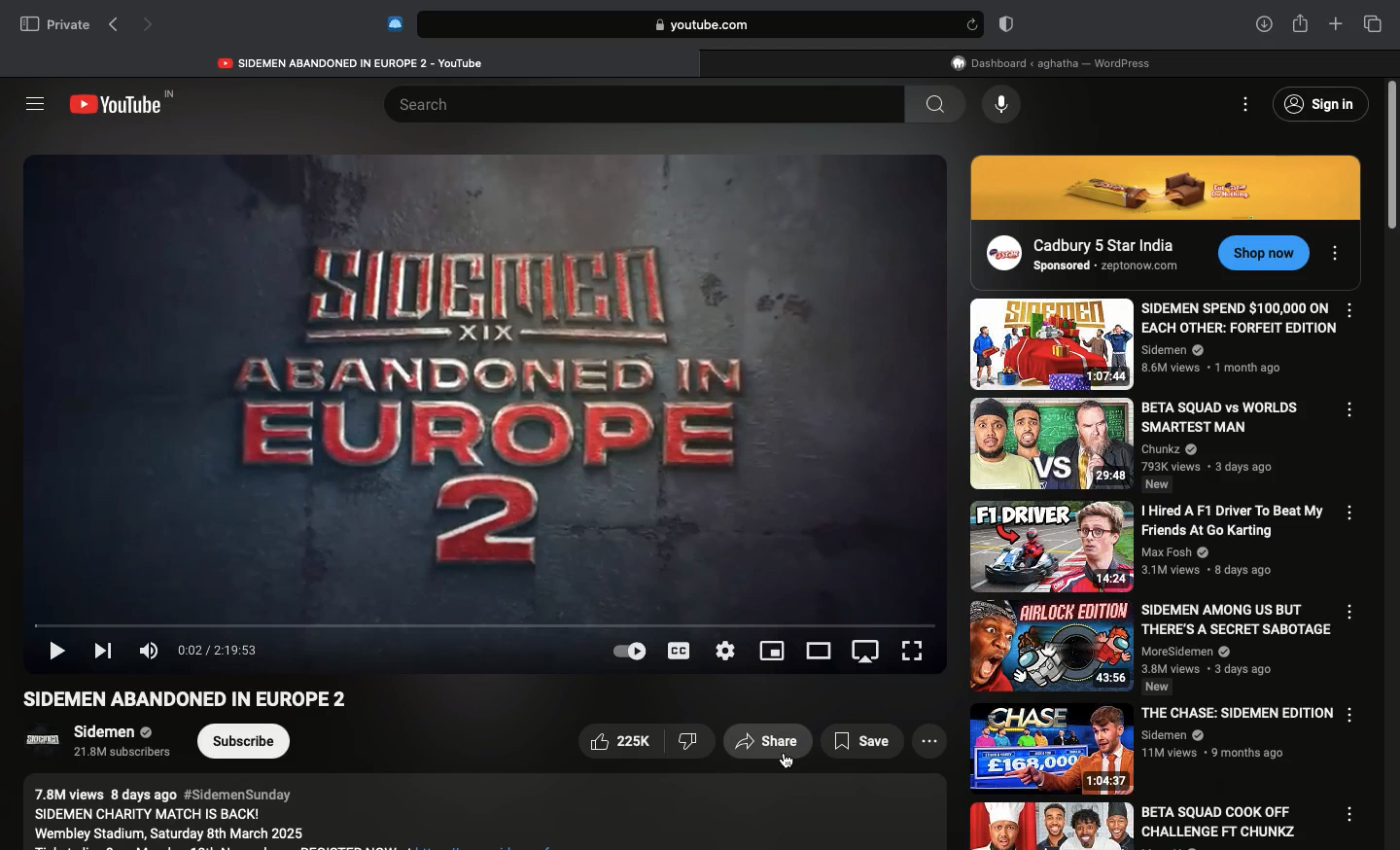 Image resolution: width=1400 pixels, height=850 pixels. Describe the element at coordinates (1079, 252) in the screenshot. I see `Ad` at that location.